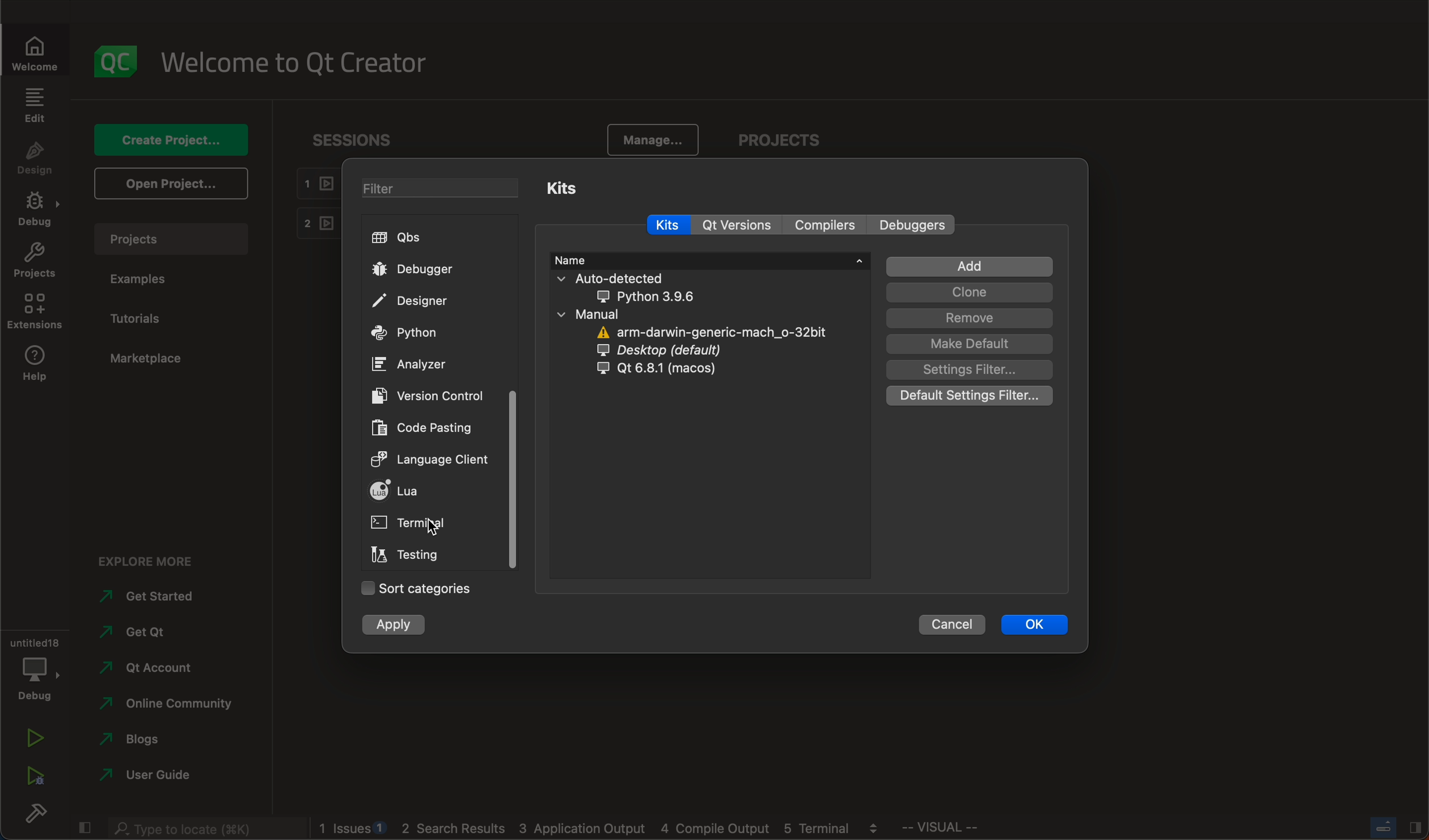 Image resolution: width=1429 pixels, height=840 pixels. What do you see at coordinates (151, 773) in the screenshot?
I see `guide` at bounding box center [151, 773].